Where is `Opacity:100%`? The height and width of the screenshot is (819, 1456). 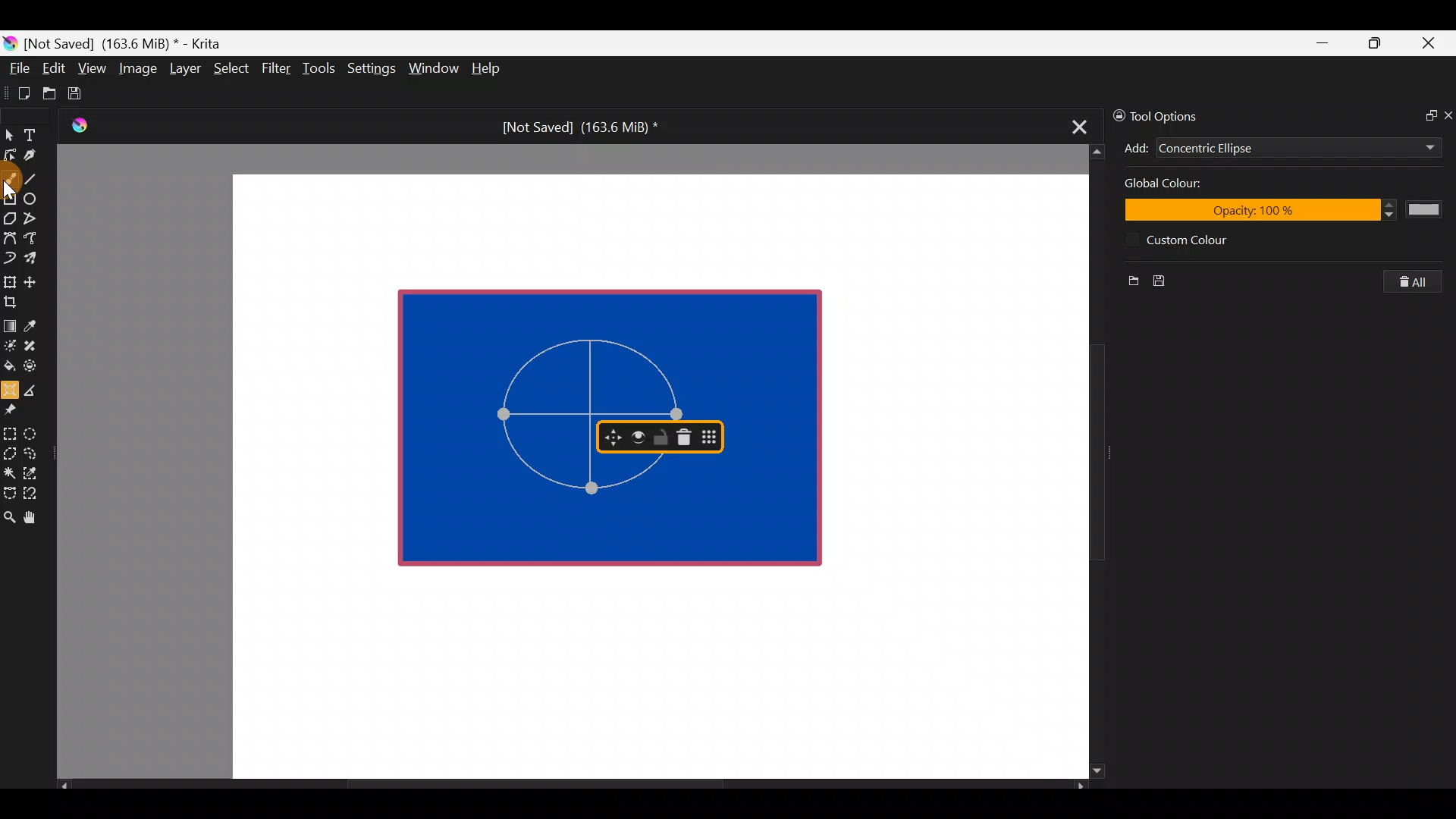 Opacity:100% is located at coordinates (1279, 212).